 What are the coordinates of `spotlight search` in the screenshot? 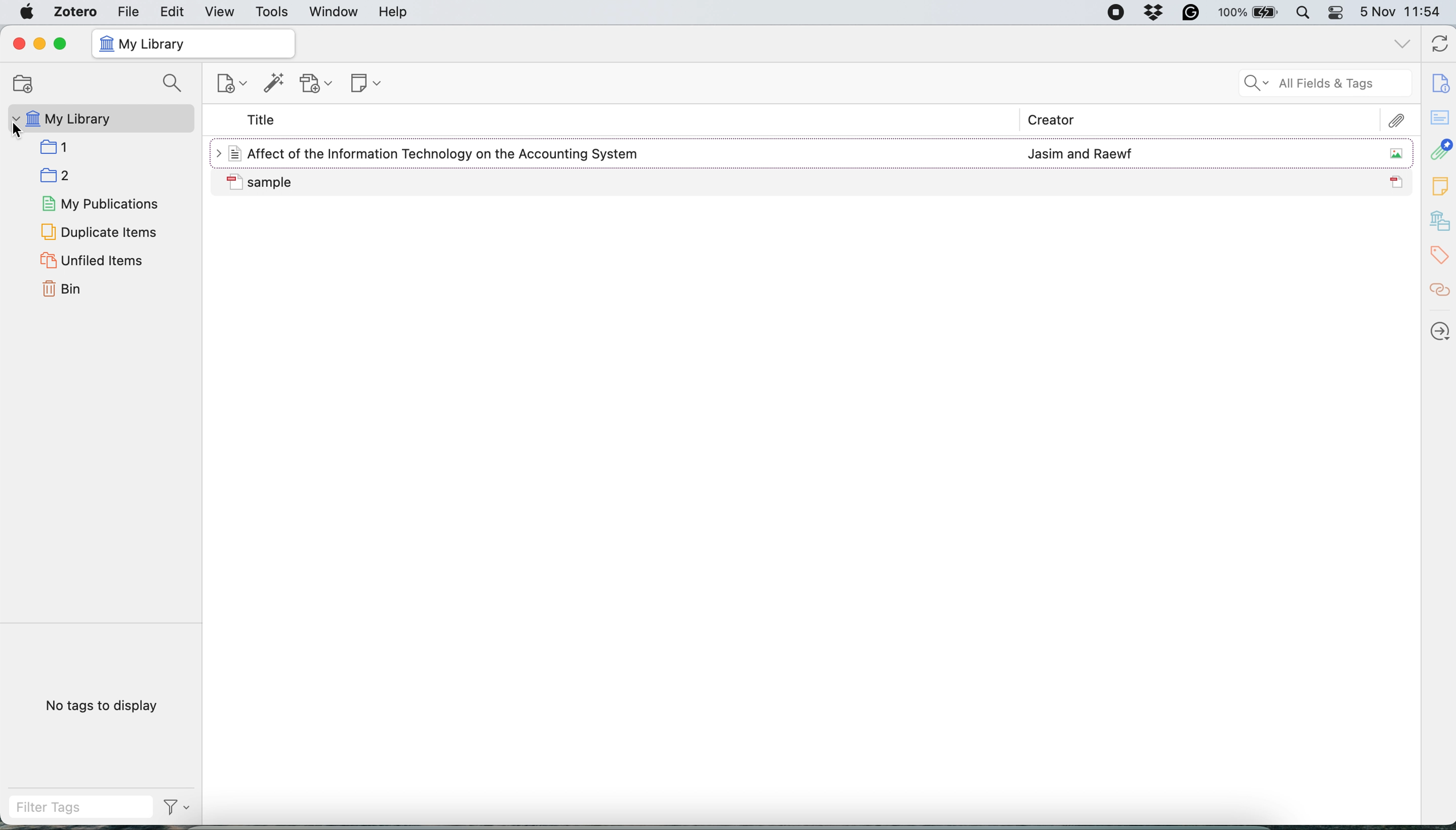 It's located at (1305, 17).